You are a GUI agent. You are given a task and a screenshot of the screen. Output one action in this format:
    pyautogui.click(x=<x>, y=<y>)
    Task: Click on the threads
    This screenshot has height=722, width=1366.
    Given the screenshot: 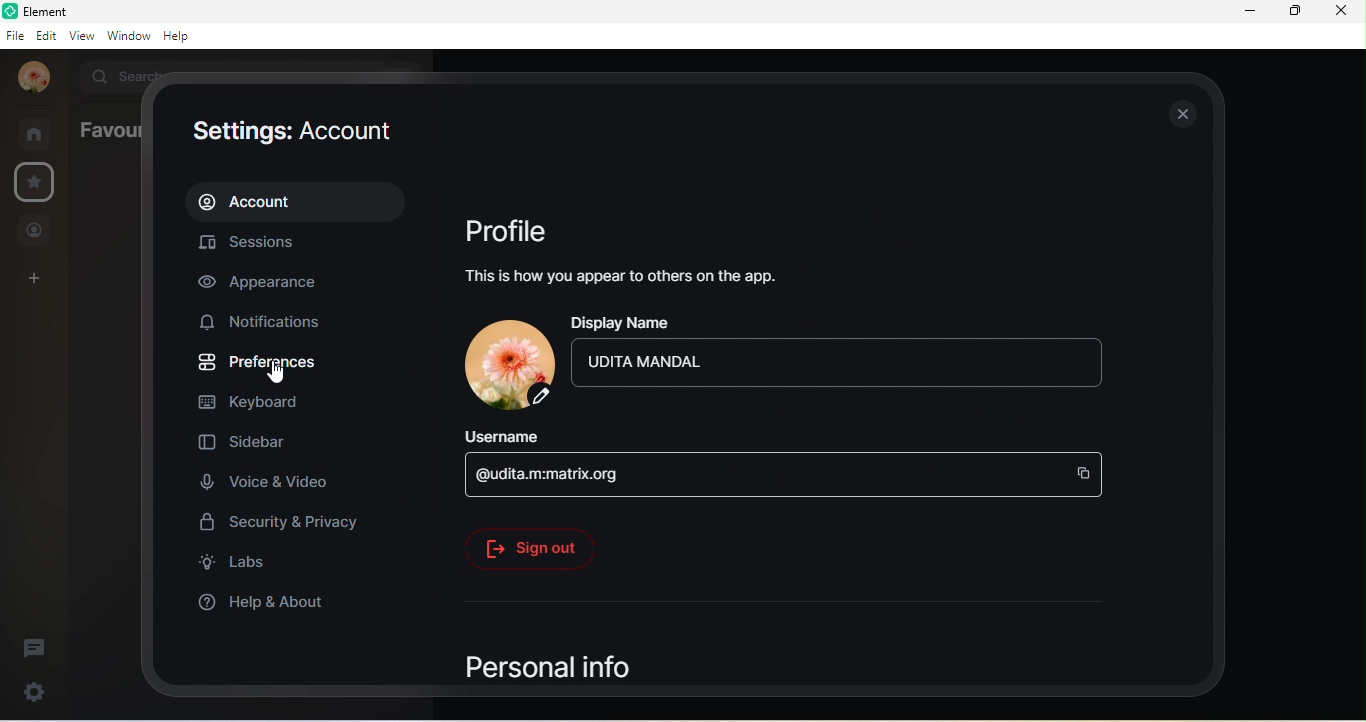 What is the action you would take?
    pyautogui.click(x=41, y=642)
    